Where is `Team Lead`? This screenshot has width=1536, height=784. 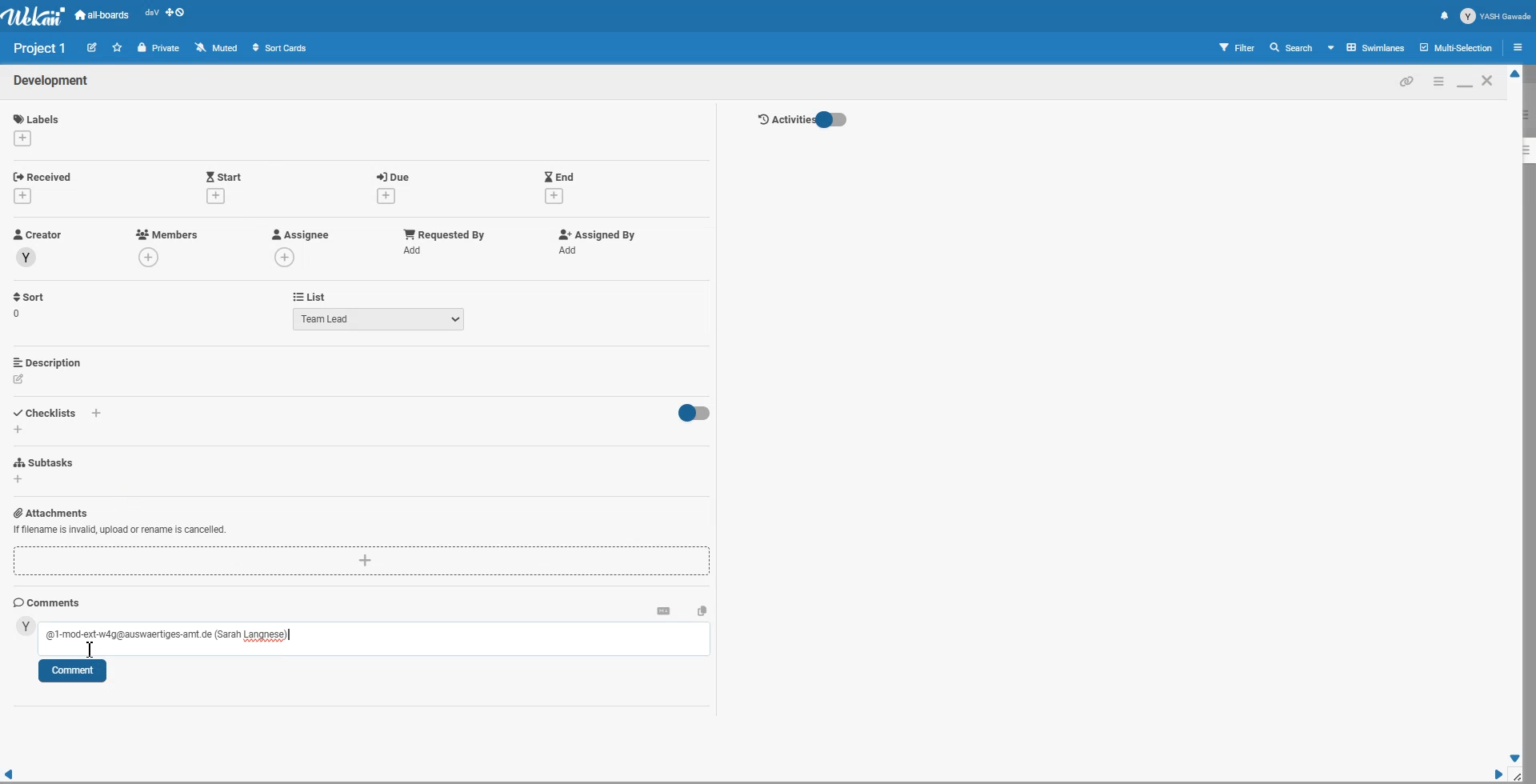
Team Lead is located at coordinates (379, 318).